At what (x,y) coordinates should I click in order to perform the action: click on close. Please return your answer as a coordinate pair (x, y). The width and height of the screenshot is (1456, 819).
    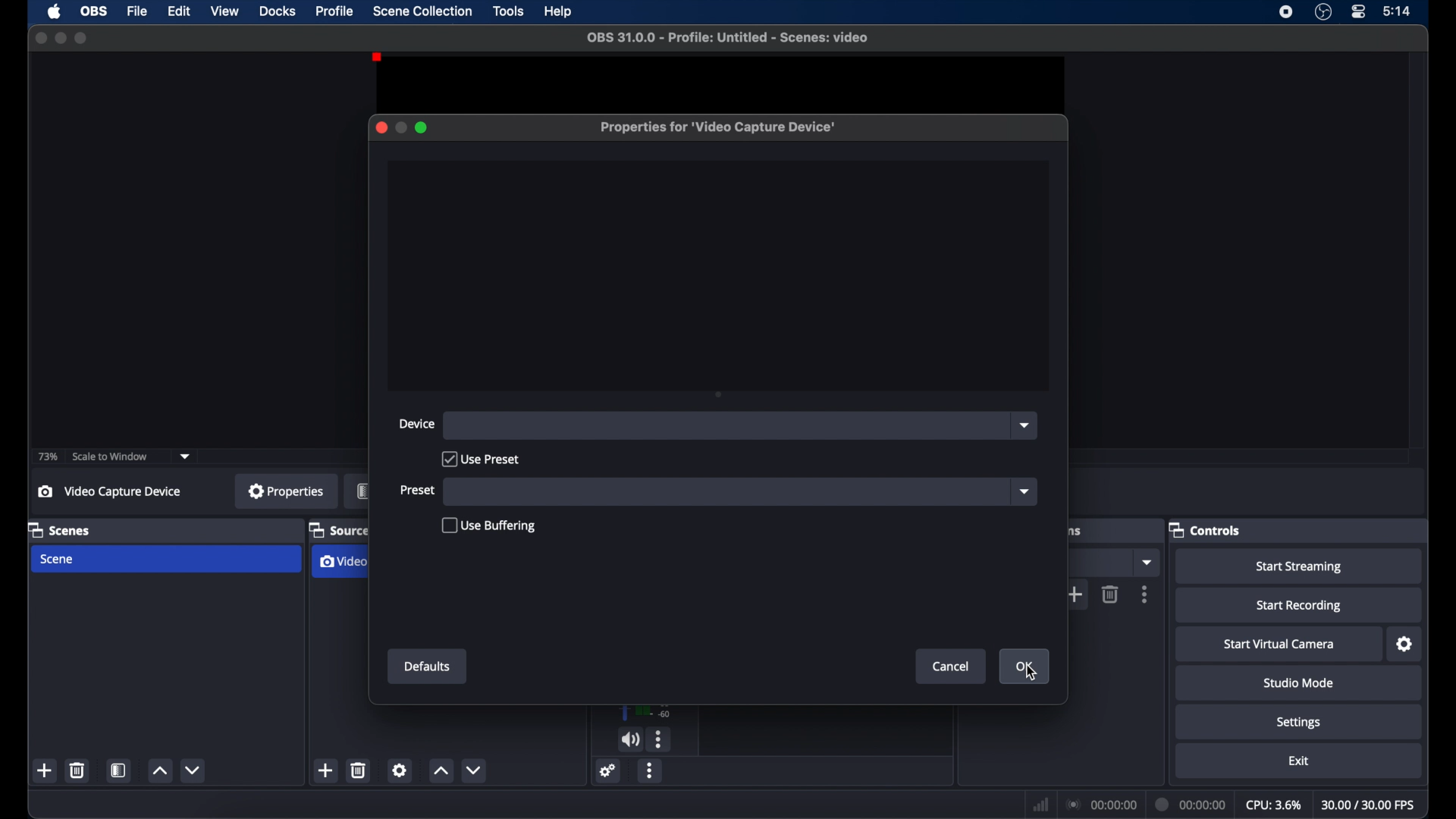
    Looking at the image, I should click on (381, 127).